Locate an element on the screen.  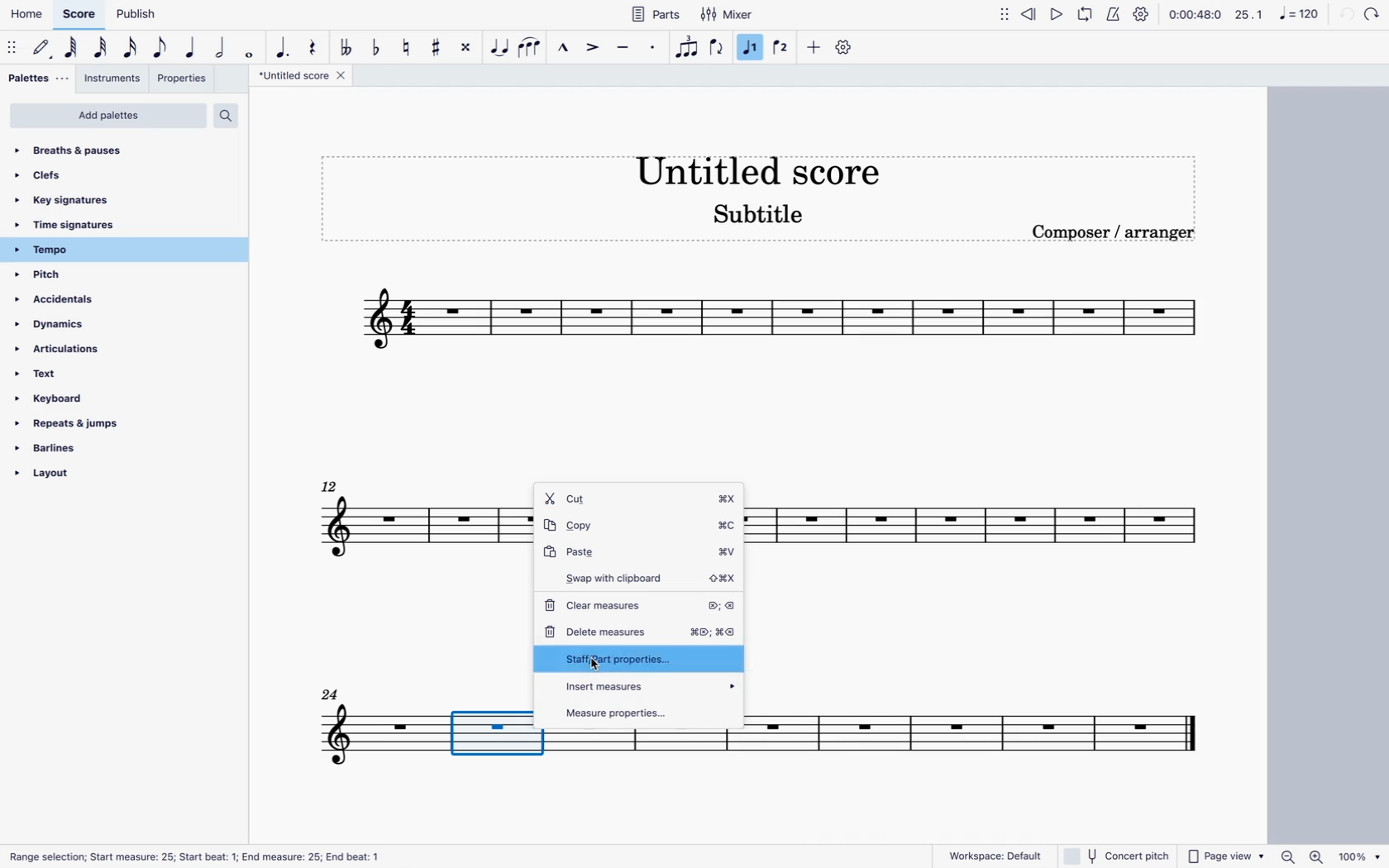
swap with clipboard is located at coordinates (642, 578).